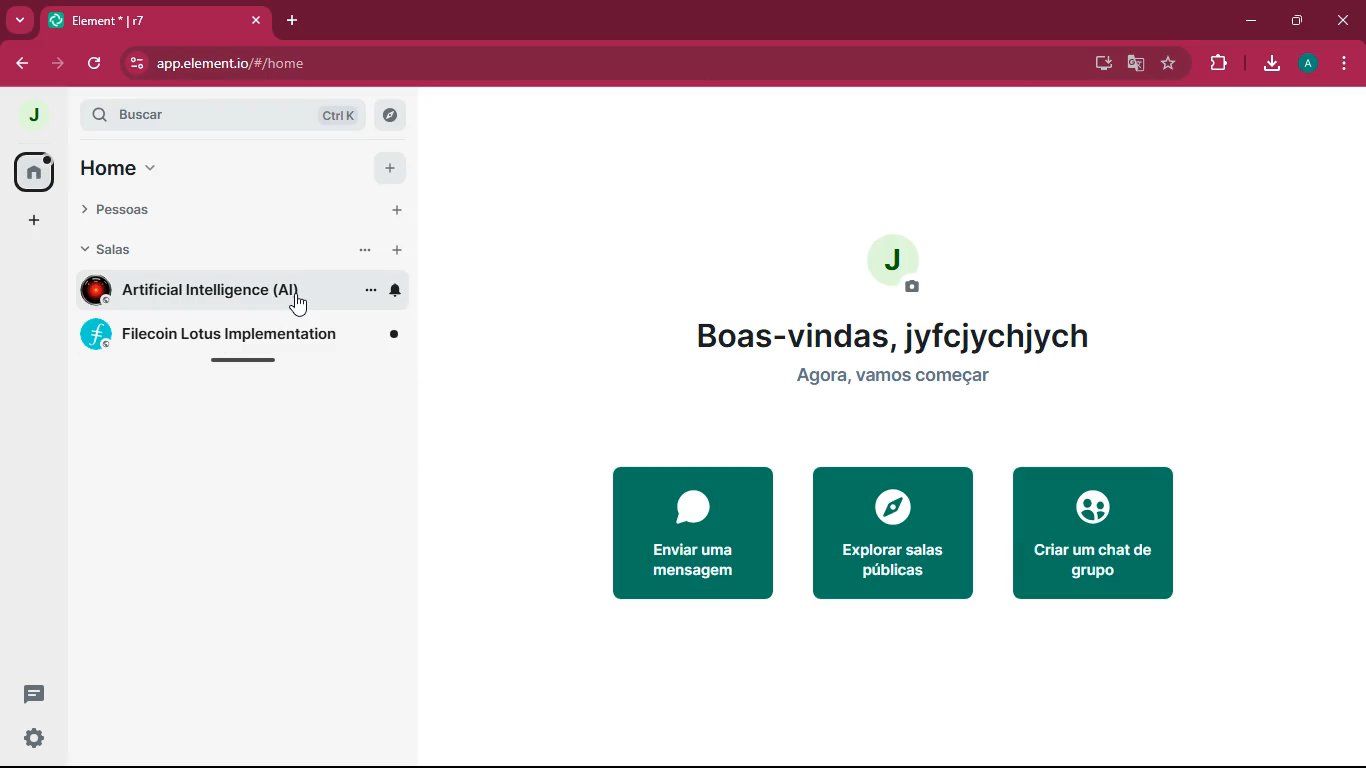  Describe the element at coordinates (392, 116) in the screenshot. I see `explore` at that location.